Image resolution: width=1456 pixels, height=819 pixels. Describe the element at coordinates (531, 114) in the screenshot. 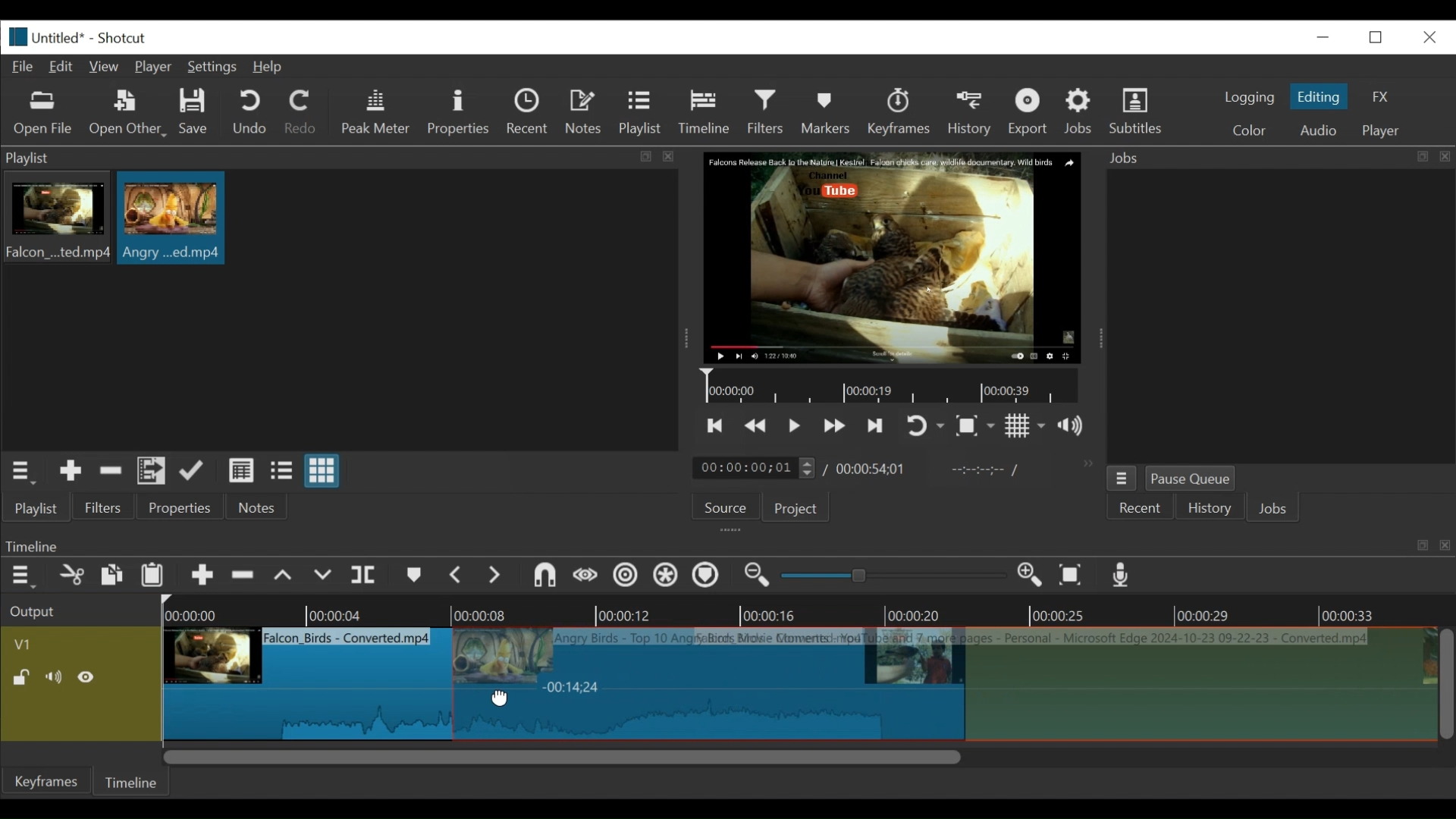

I see `Recent` at that location.